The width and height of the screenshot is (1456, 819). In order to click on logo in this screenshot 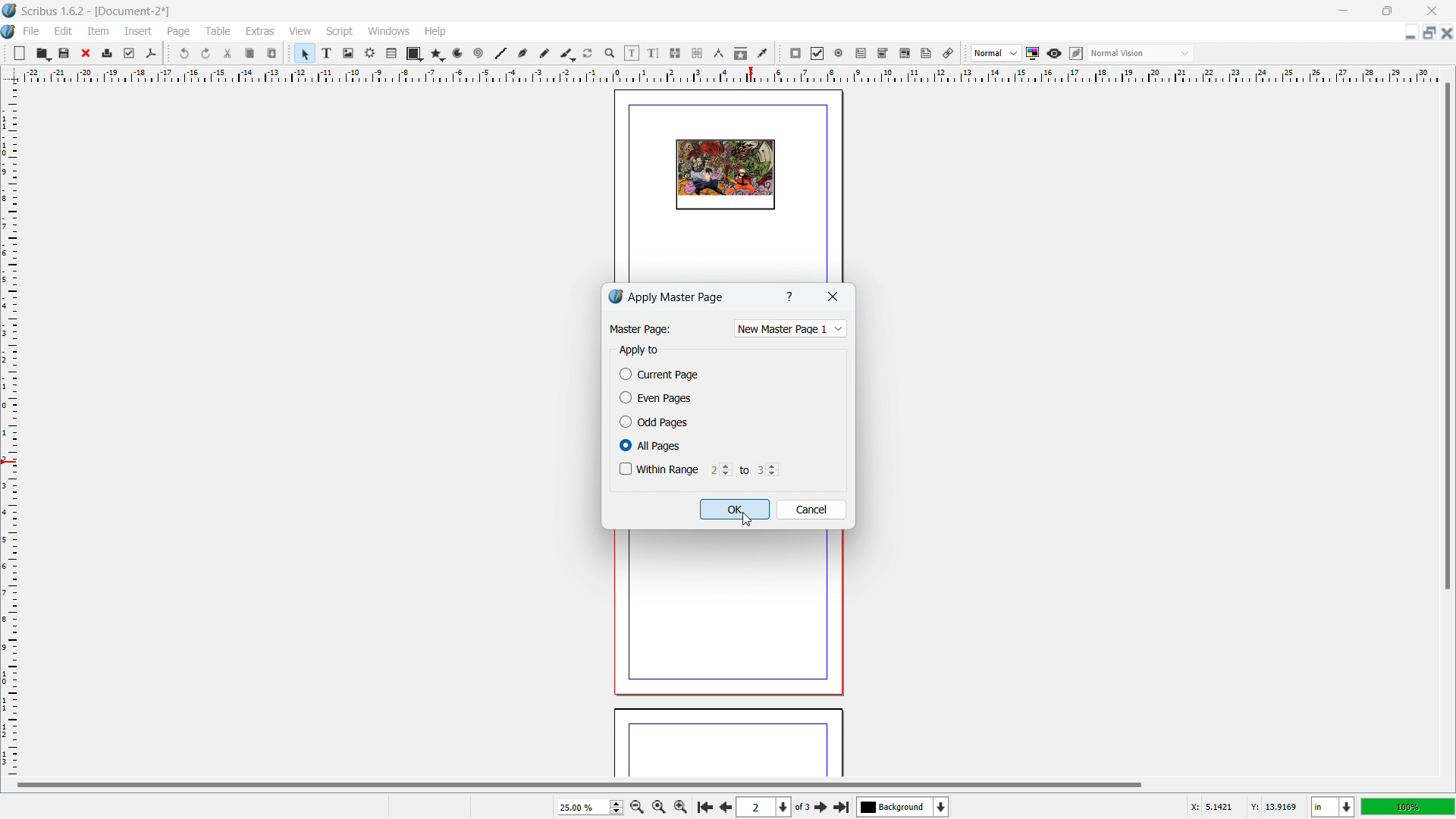, I will do `click(615, 297)`.